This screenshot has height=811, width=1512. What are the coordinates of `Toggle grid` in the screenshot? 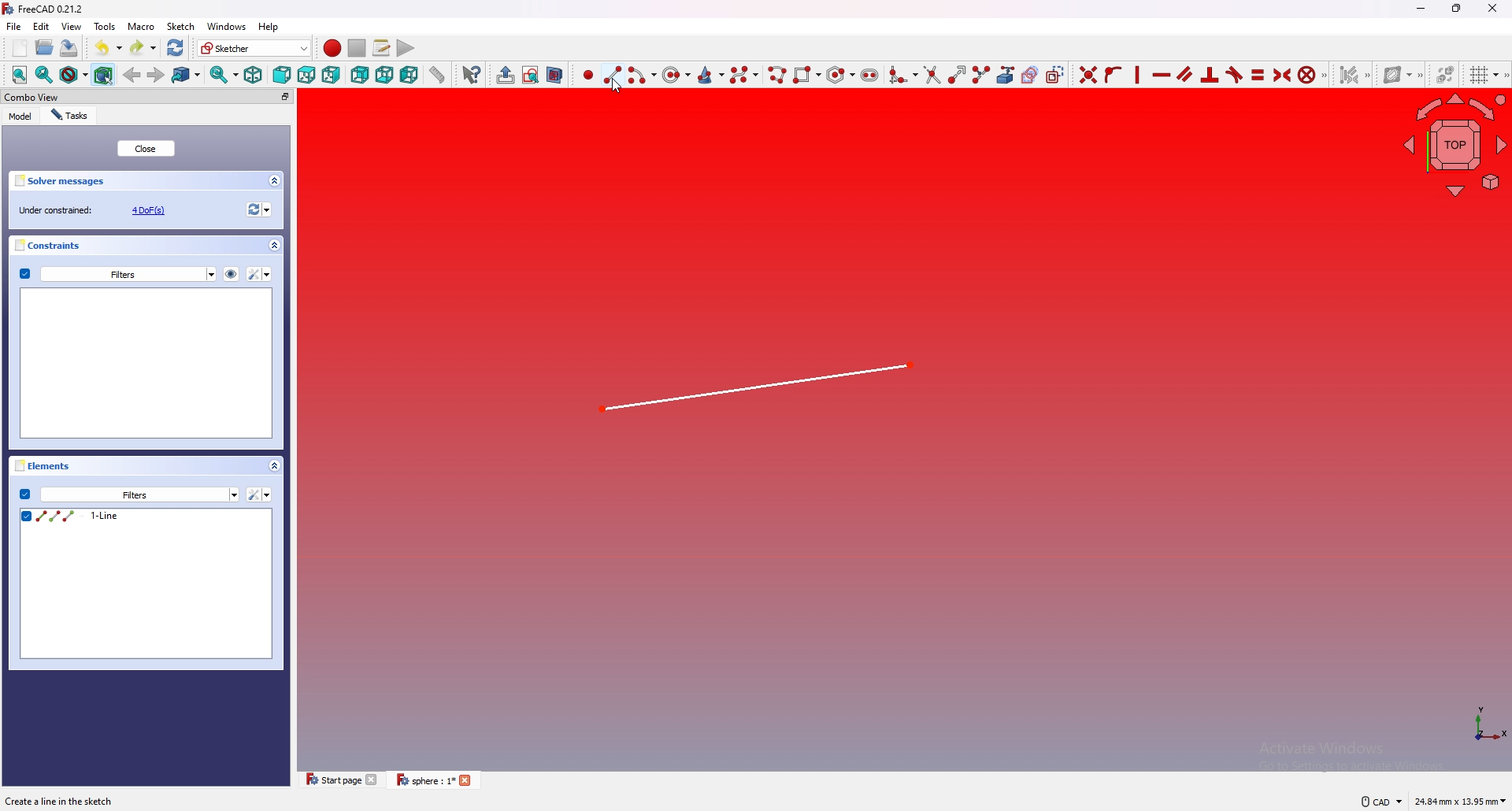 It's located at (1482, 75).